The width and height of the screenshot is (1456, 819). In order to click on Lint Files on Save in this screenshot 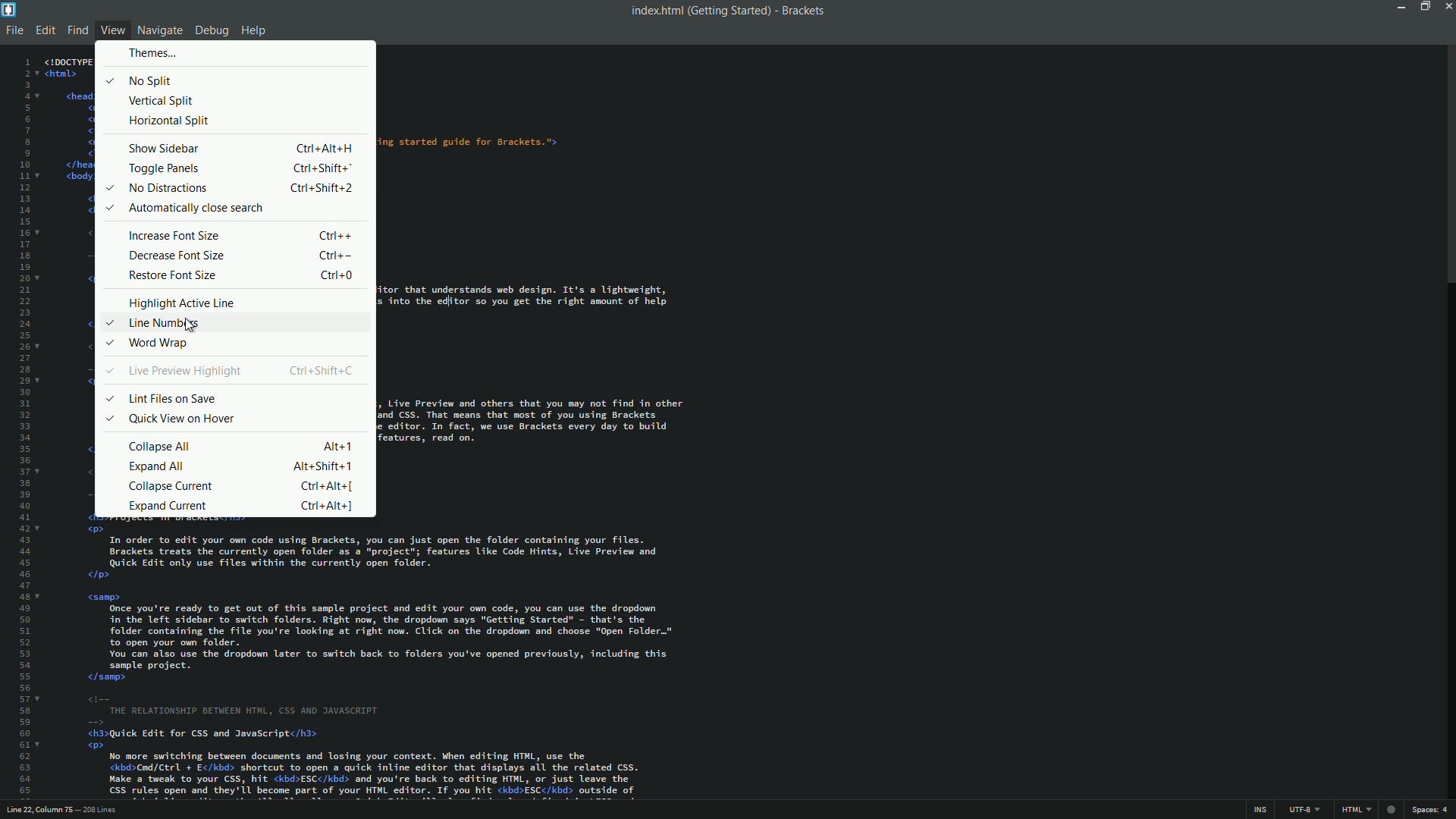, I will do `click(162, 400)`.